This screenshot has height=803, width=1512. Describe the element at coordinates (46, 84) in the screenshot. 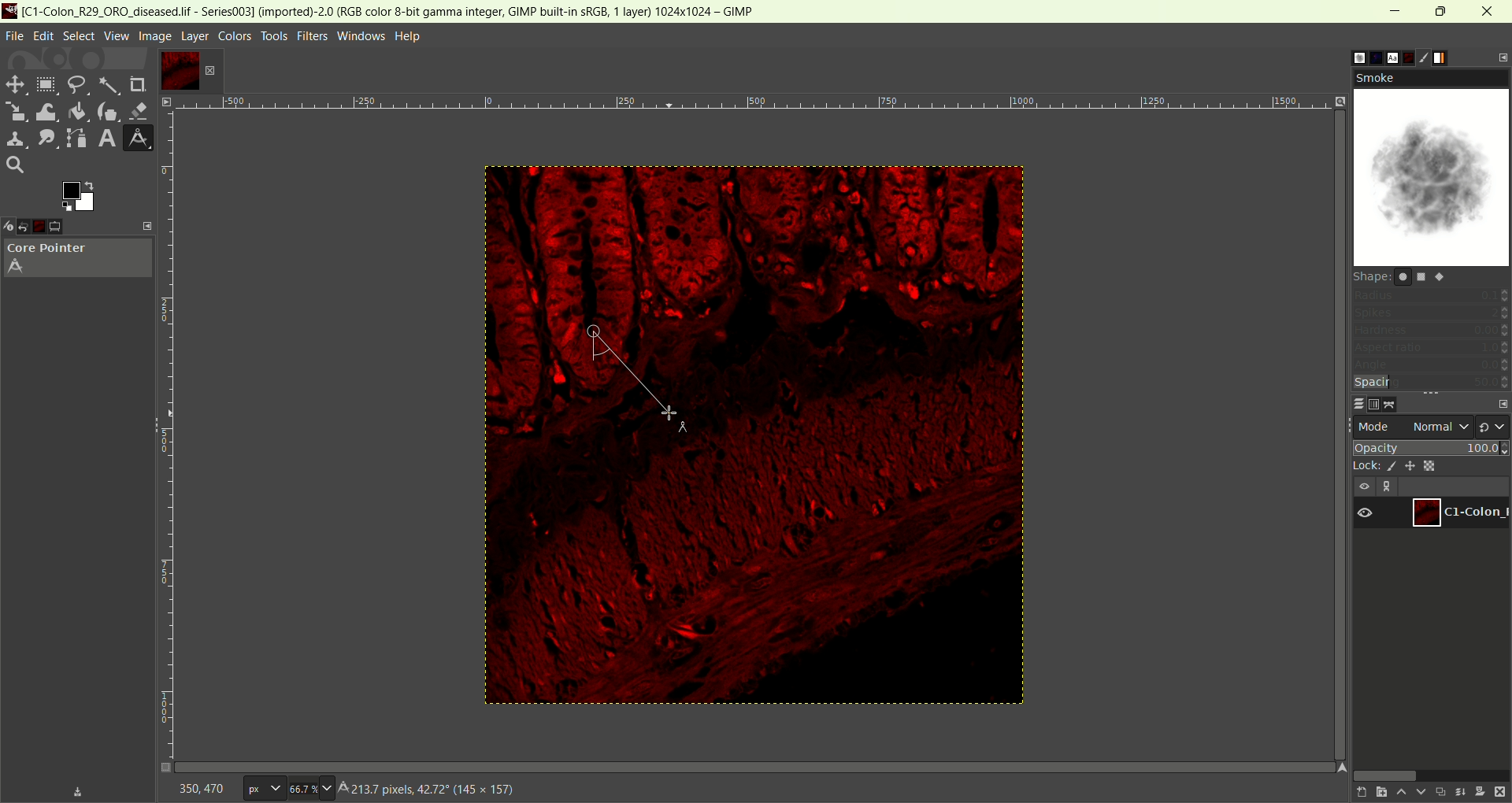

I see `rectangle select tool` at that location.